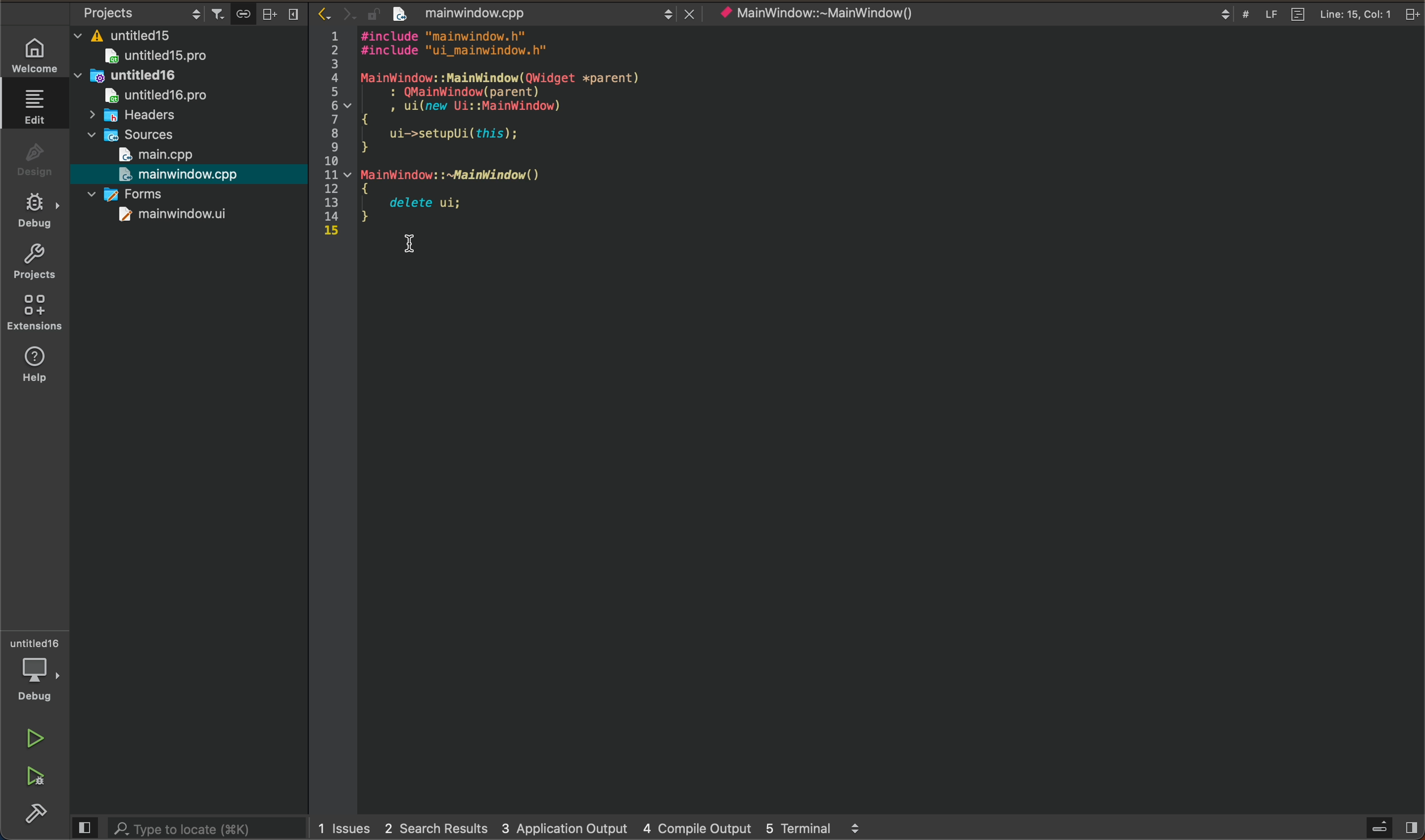  Describe the element at coordinates (976, 13) in the screenshot. I see `* MainWindow::~MainWindow()` at that location.